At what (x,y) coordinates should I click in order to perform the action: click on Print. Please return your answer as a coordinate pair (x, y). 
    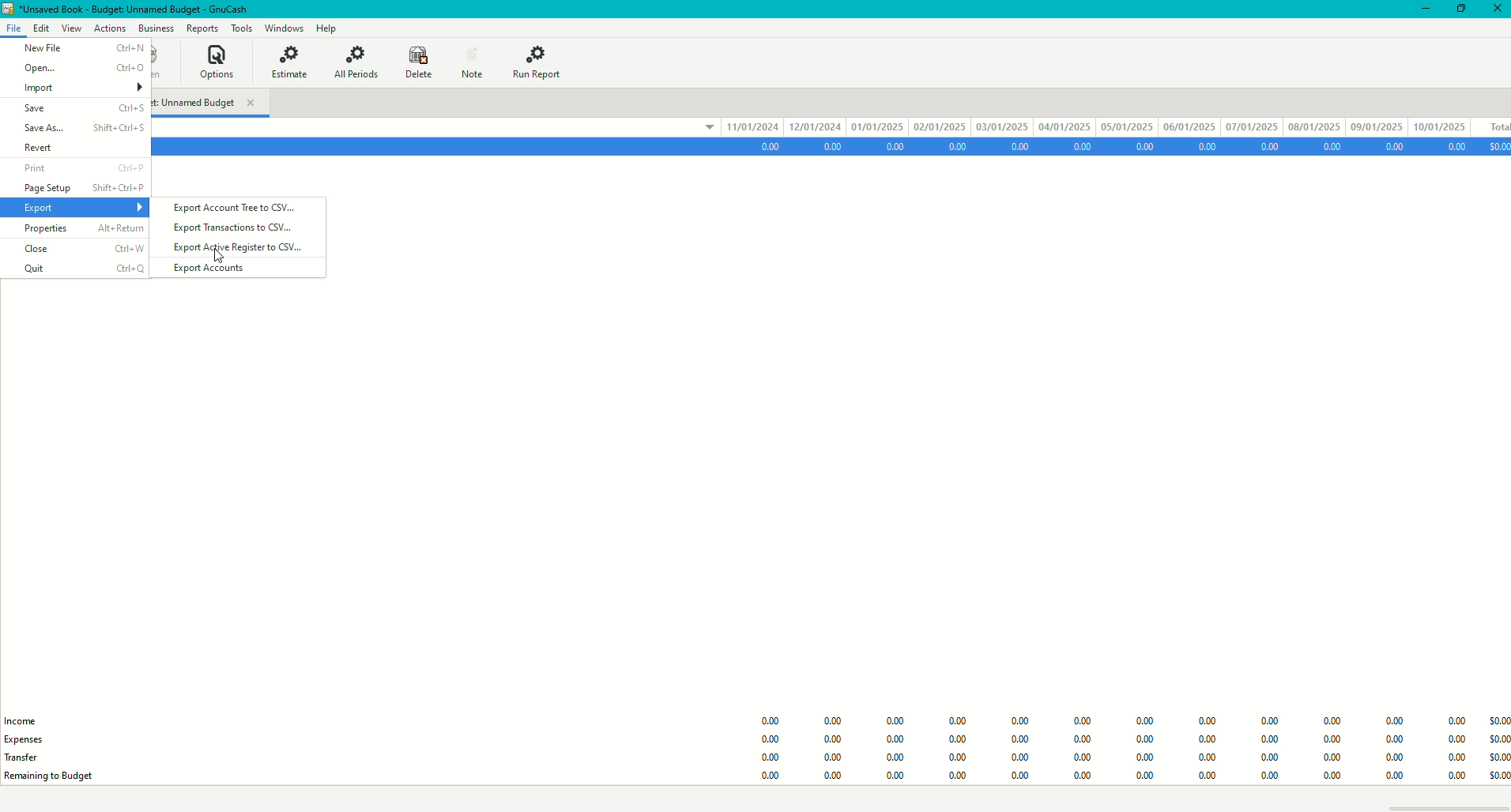
    Looking at the image, I should click on (80, 170).